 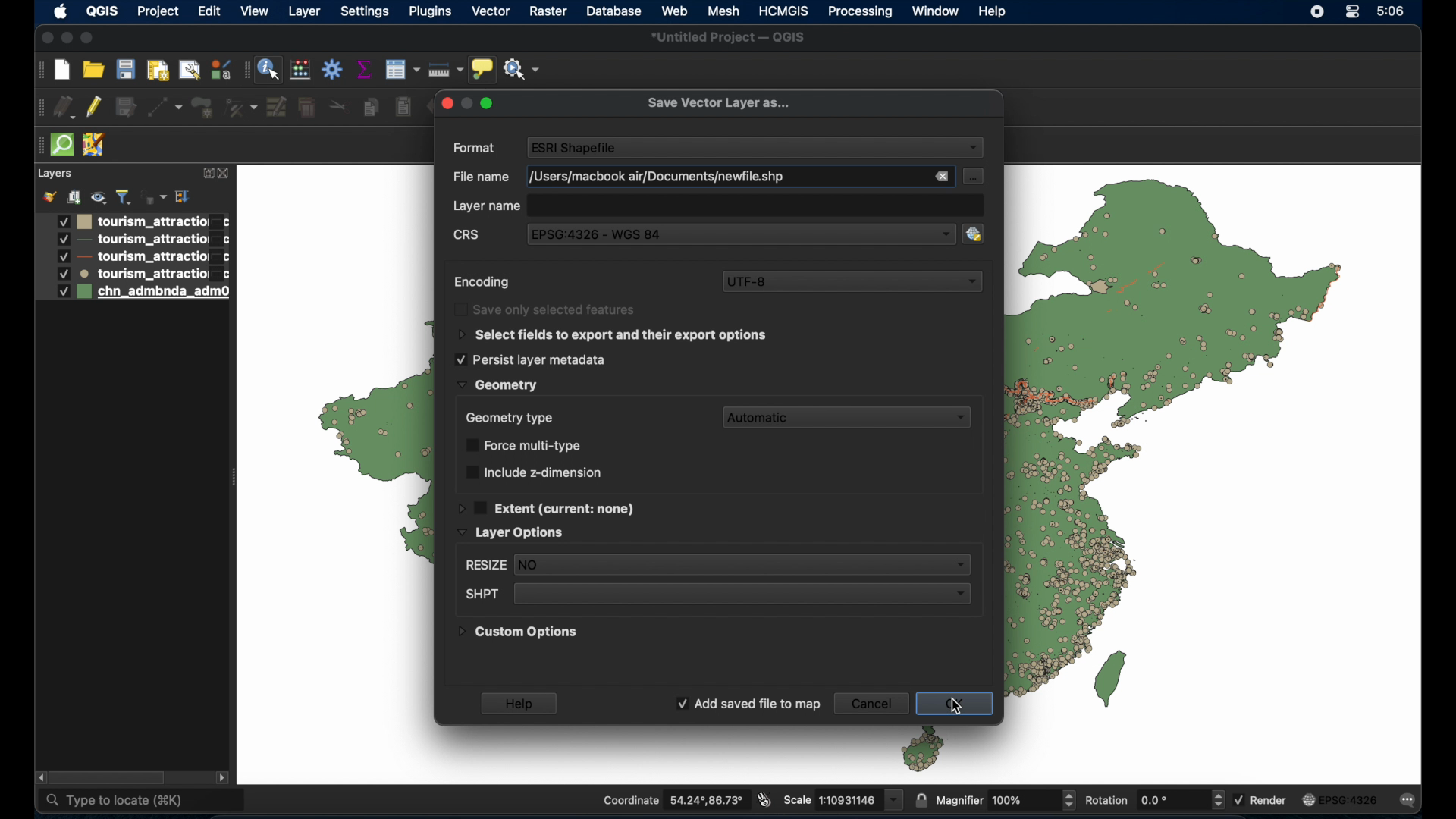 I want to click on cancel, so click(x=871, y=703).